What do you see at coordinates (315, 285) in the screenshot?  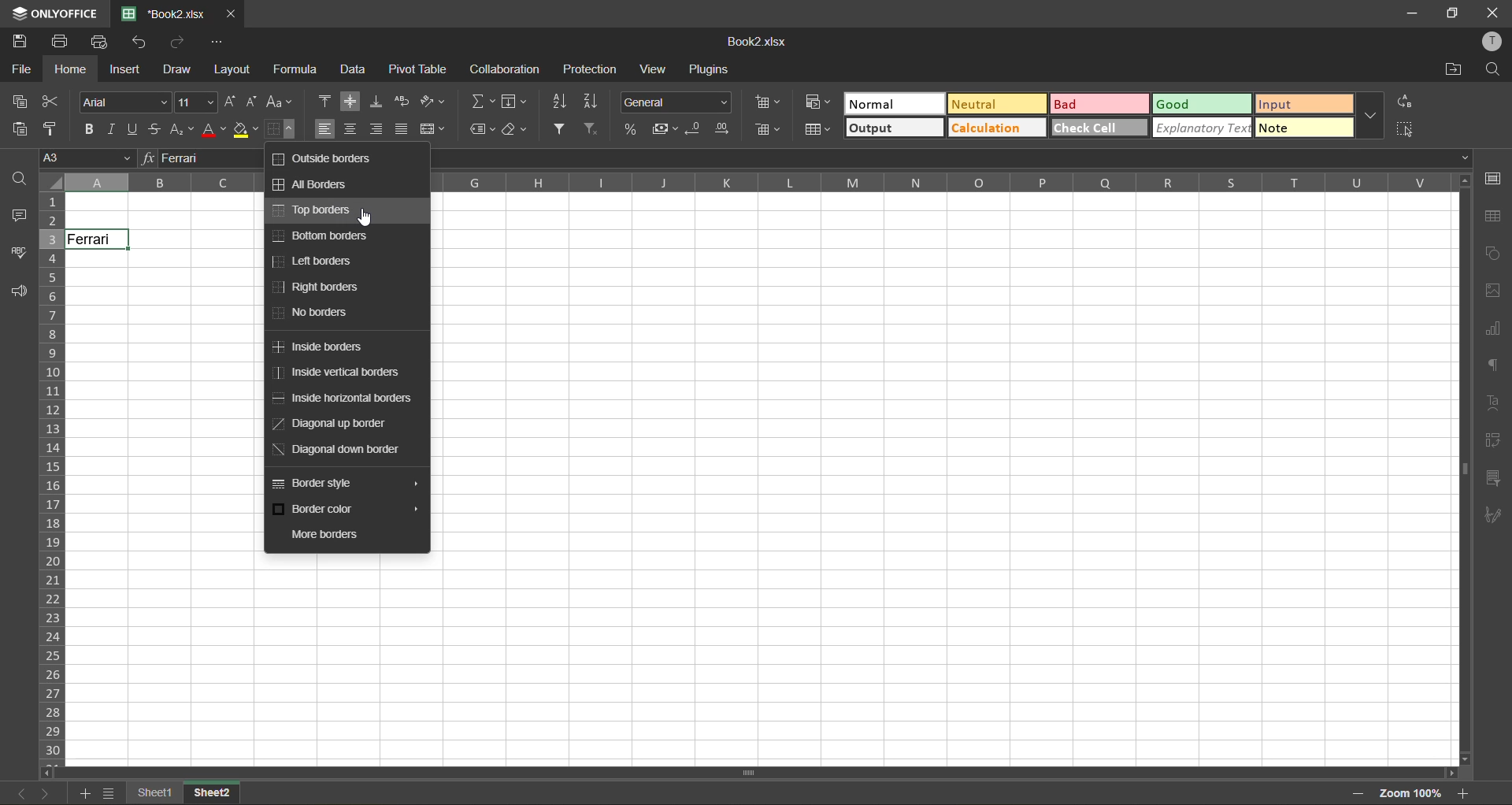 I see `right borders` at bounding box center [315, 285].